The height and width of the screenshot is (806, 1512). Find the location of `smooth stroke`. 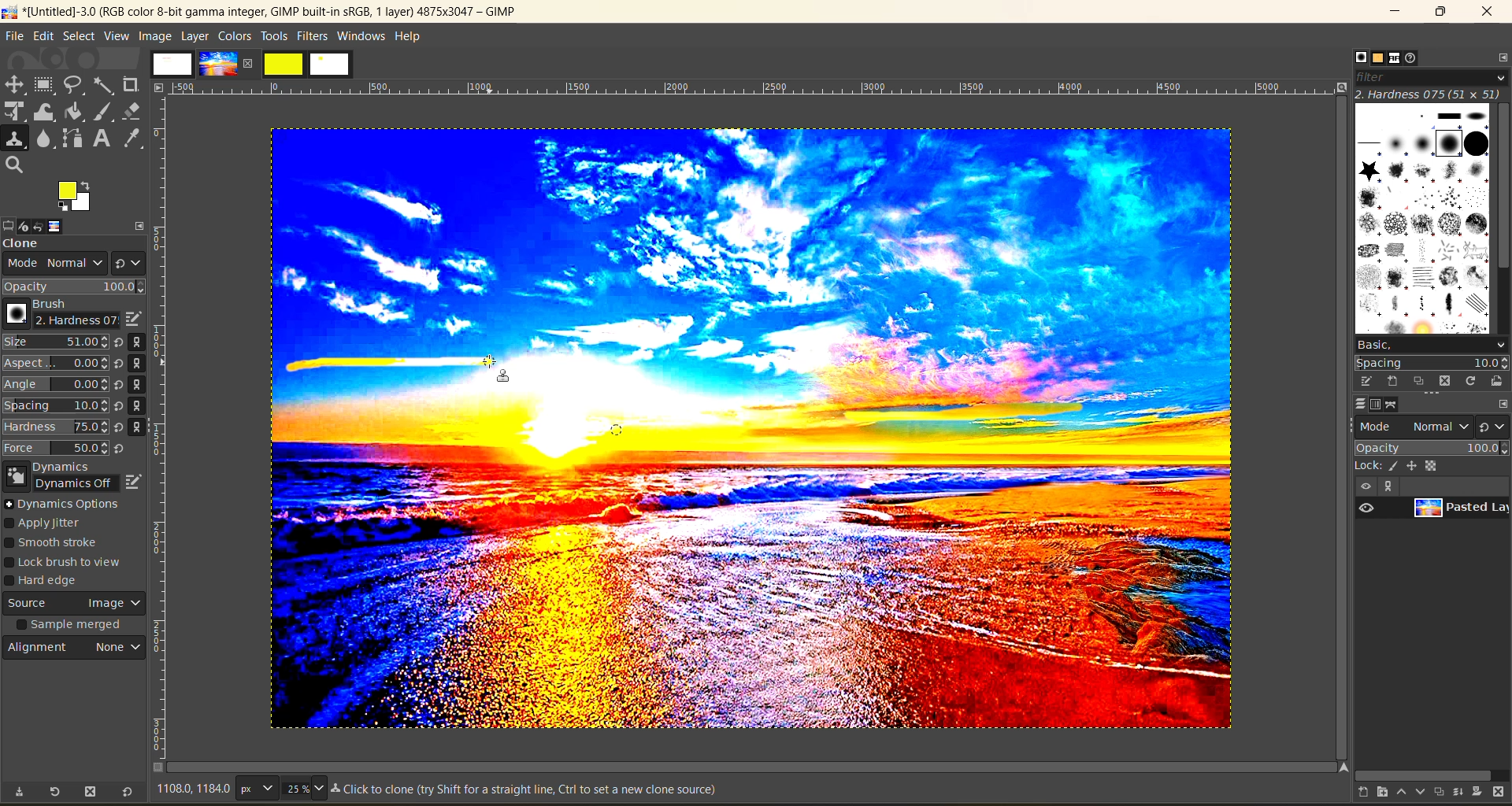

smooth stroke is located at coordinates (57, 544).